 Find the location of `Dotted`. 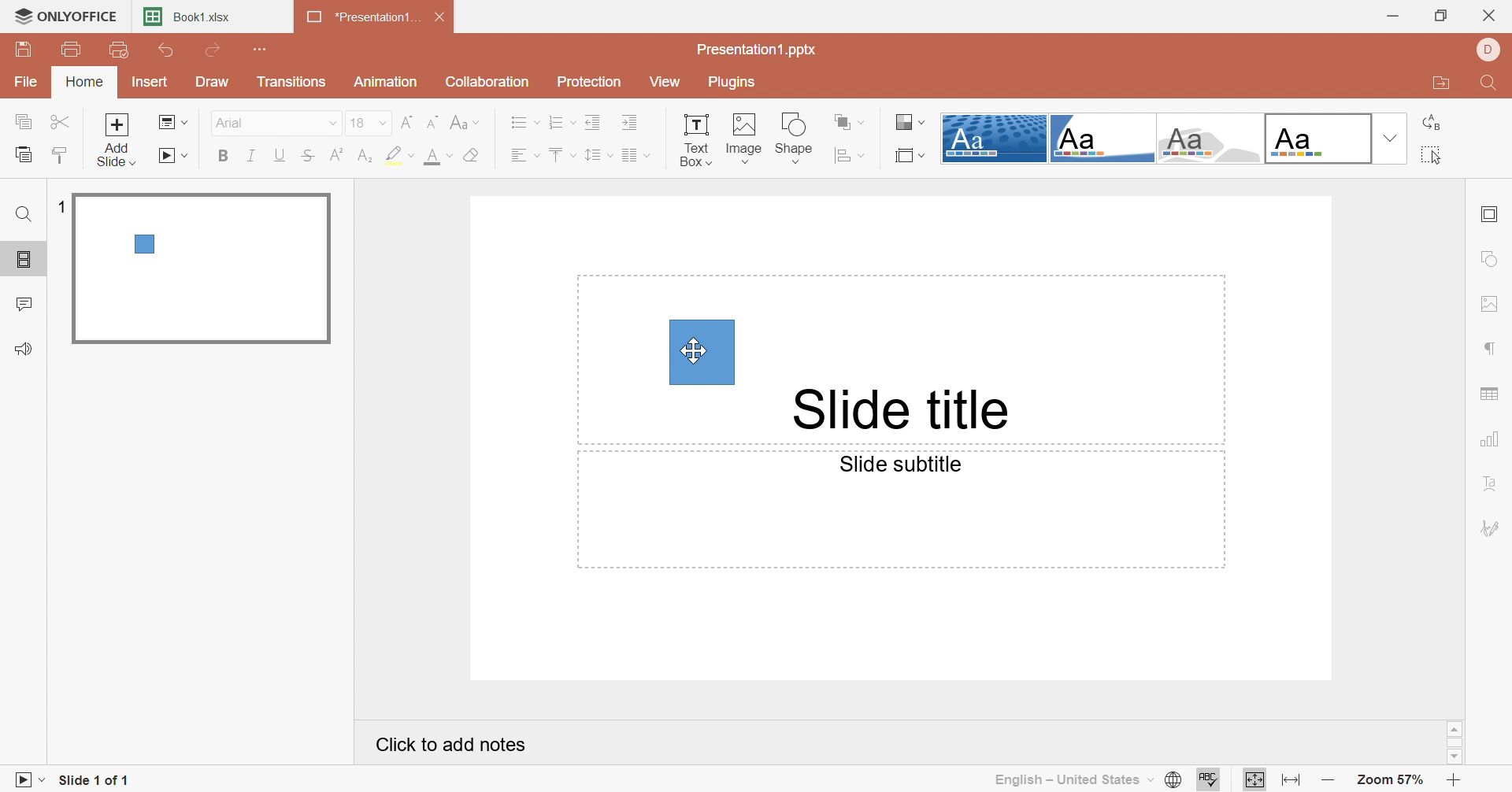

Dotted is located at coordinates (991, 137).